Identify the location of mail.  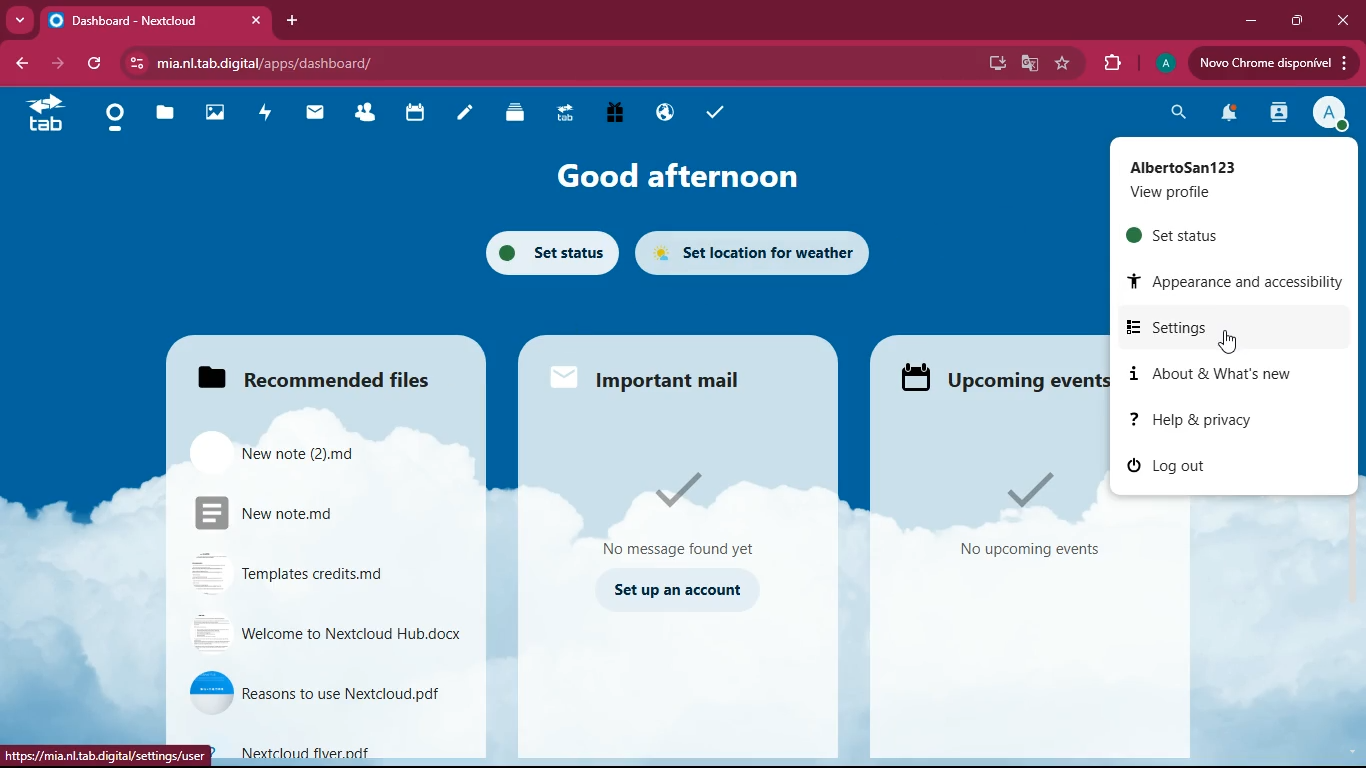
(311, 116).